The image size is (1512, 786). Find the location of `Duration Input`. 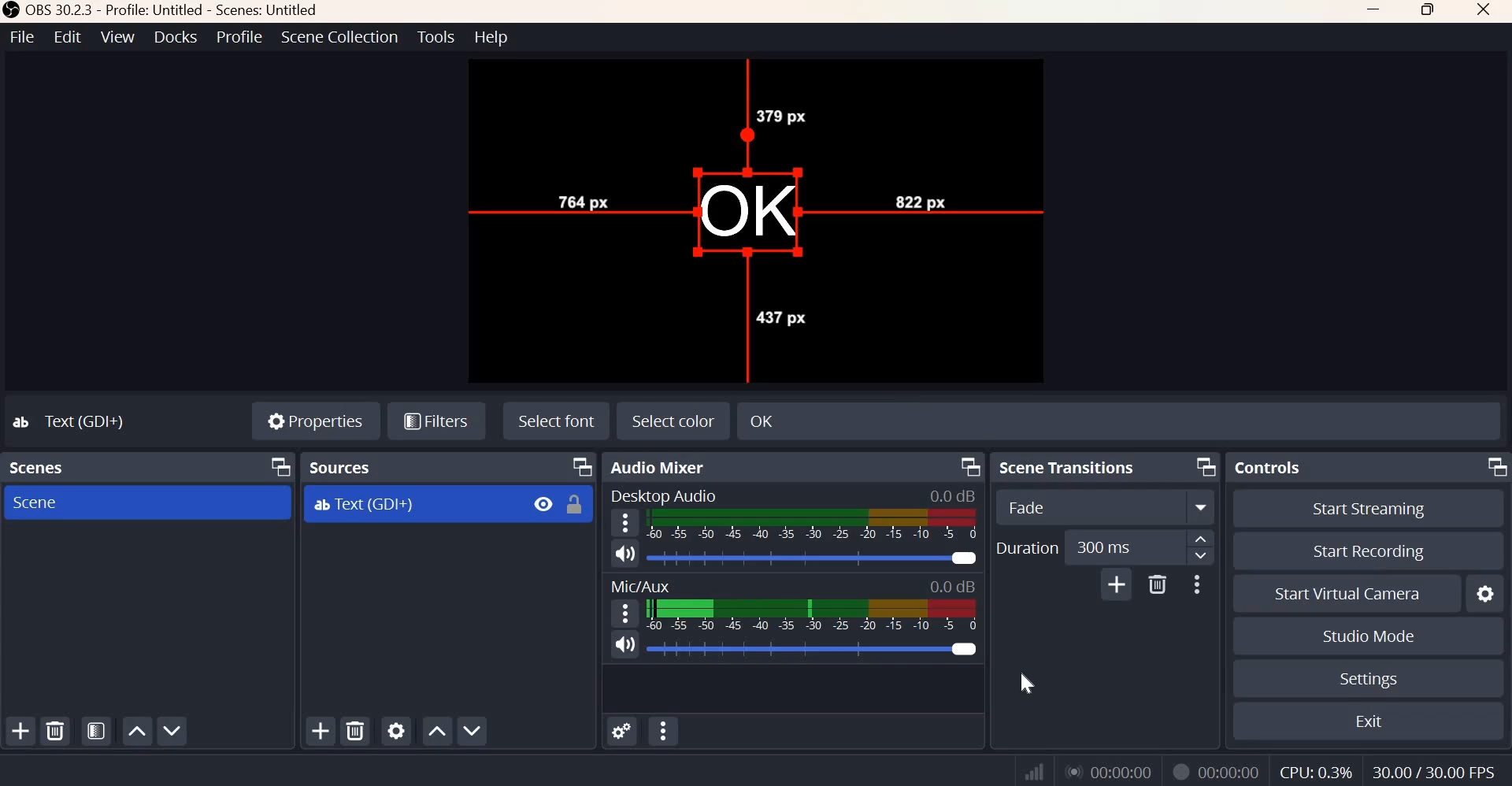

Duration Input is located at coordinates (1124, 547).